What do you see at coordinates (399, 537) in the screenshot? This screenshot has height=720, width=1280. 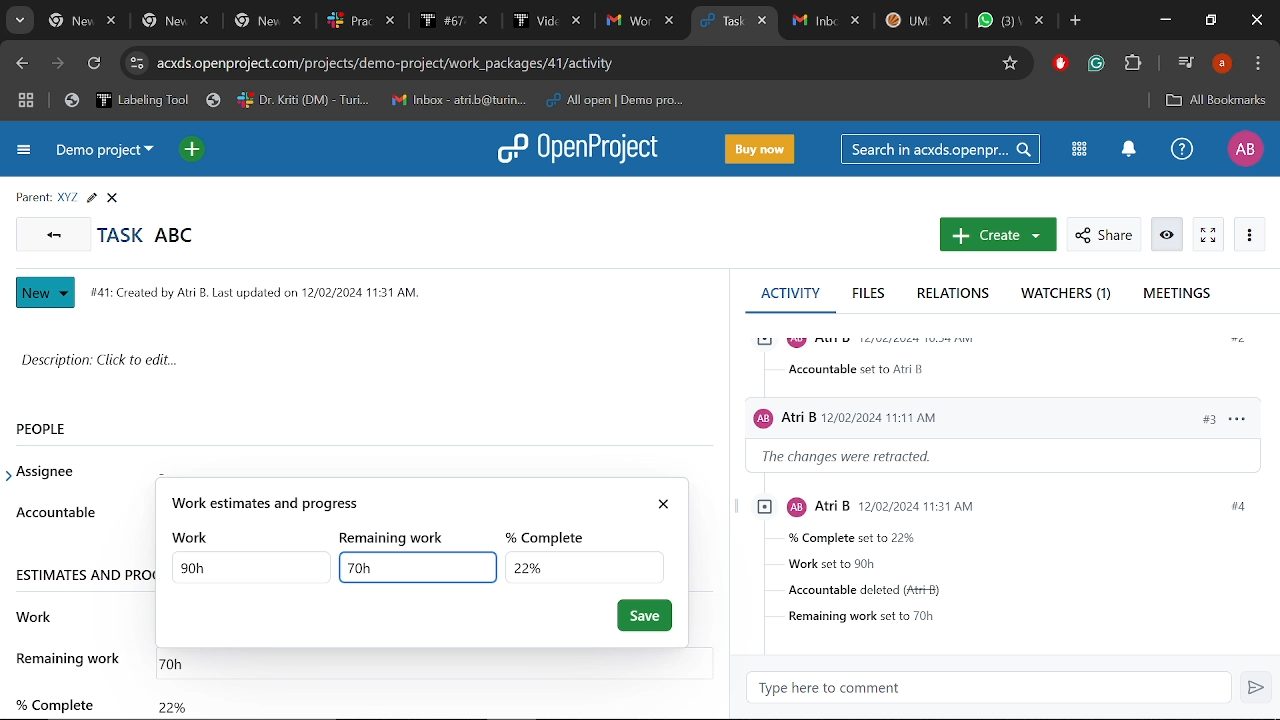 I see `remaining work` at bounding box center [399, 537].